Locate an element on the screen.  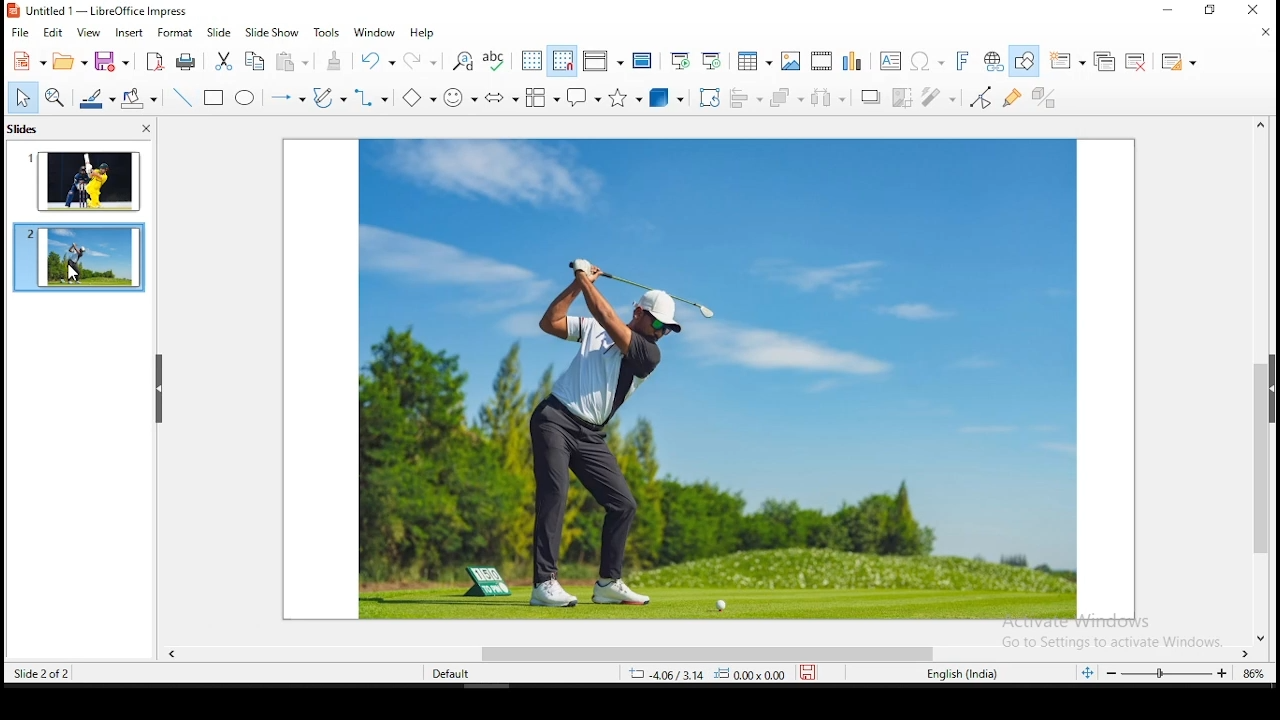
image is located at coordinates (716, 381).